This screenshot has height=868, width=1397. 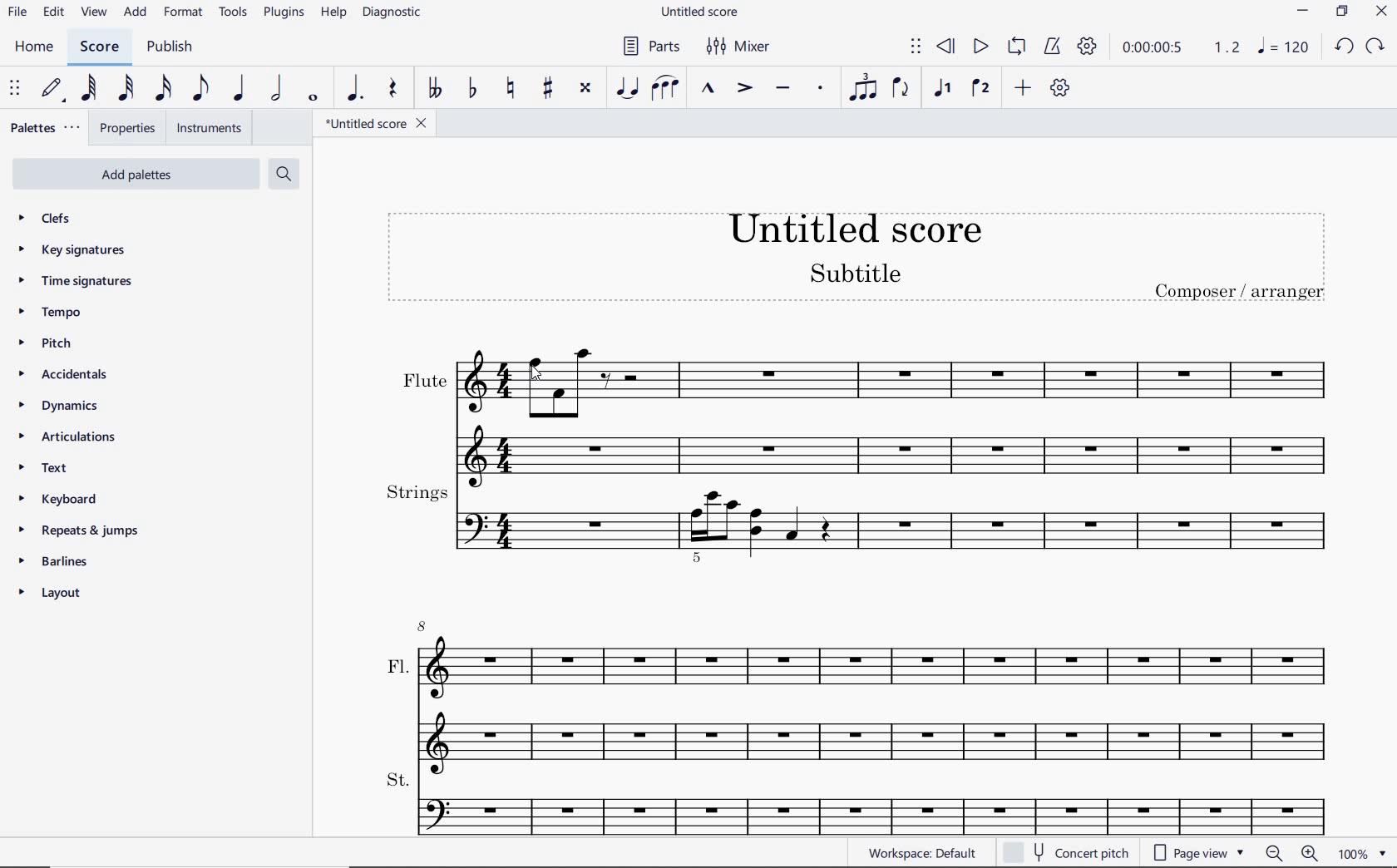 I want to click on PROPERTIES, so click(x=131, y=126).